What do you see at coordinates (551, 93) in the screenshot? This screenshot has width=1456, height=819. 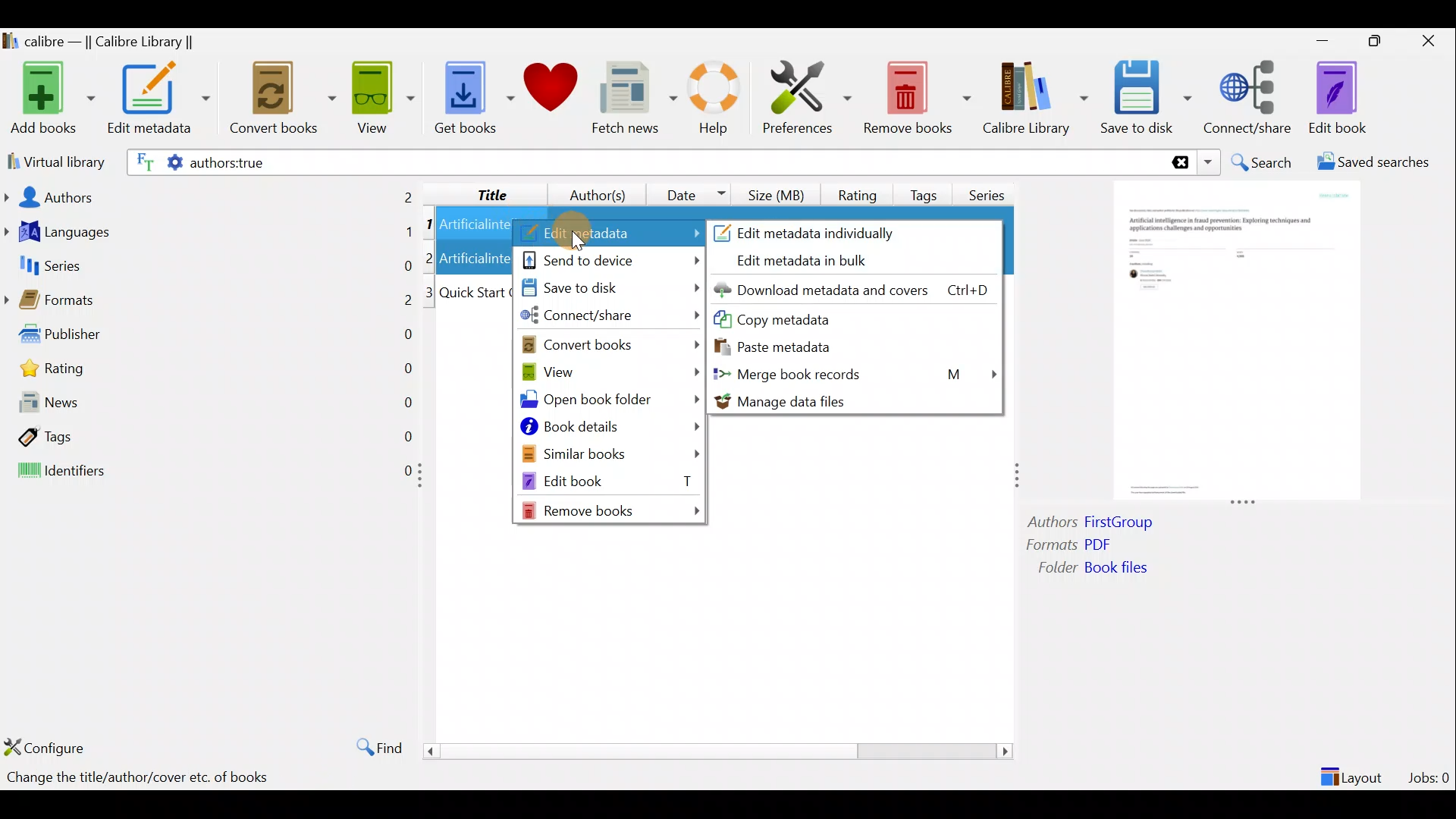 I see `Donate` at bounding box center [551, 93].